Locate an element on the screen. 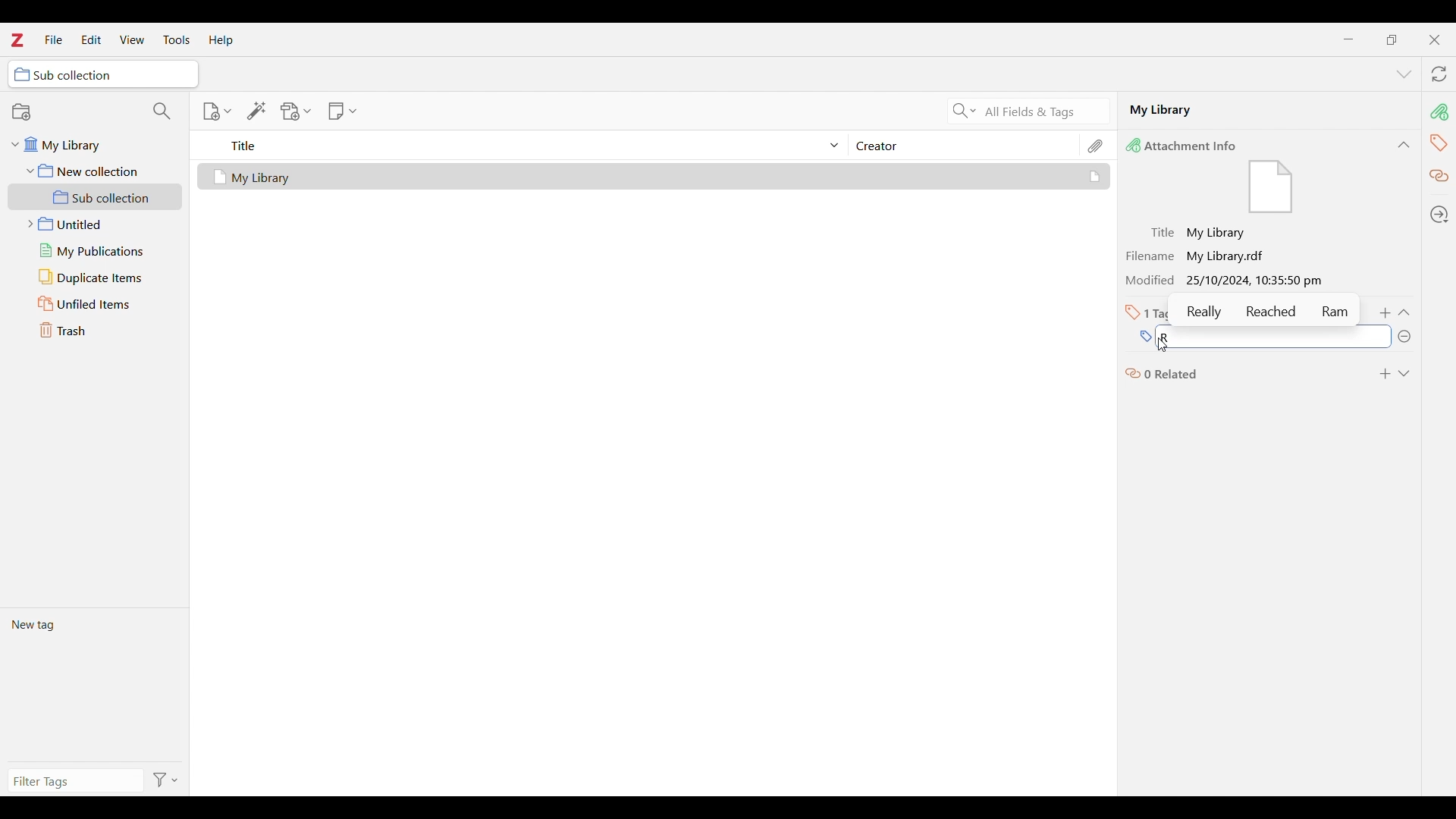 The image size is (1456, 819). Add is located at coordinates (1386, 313).